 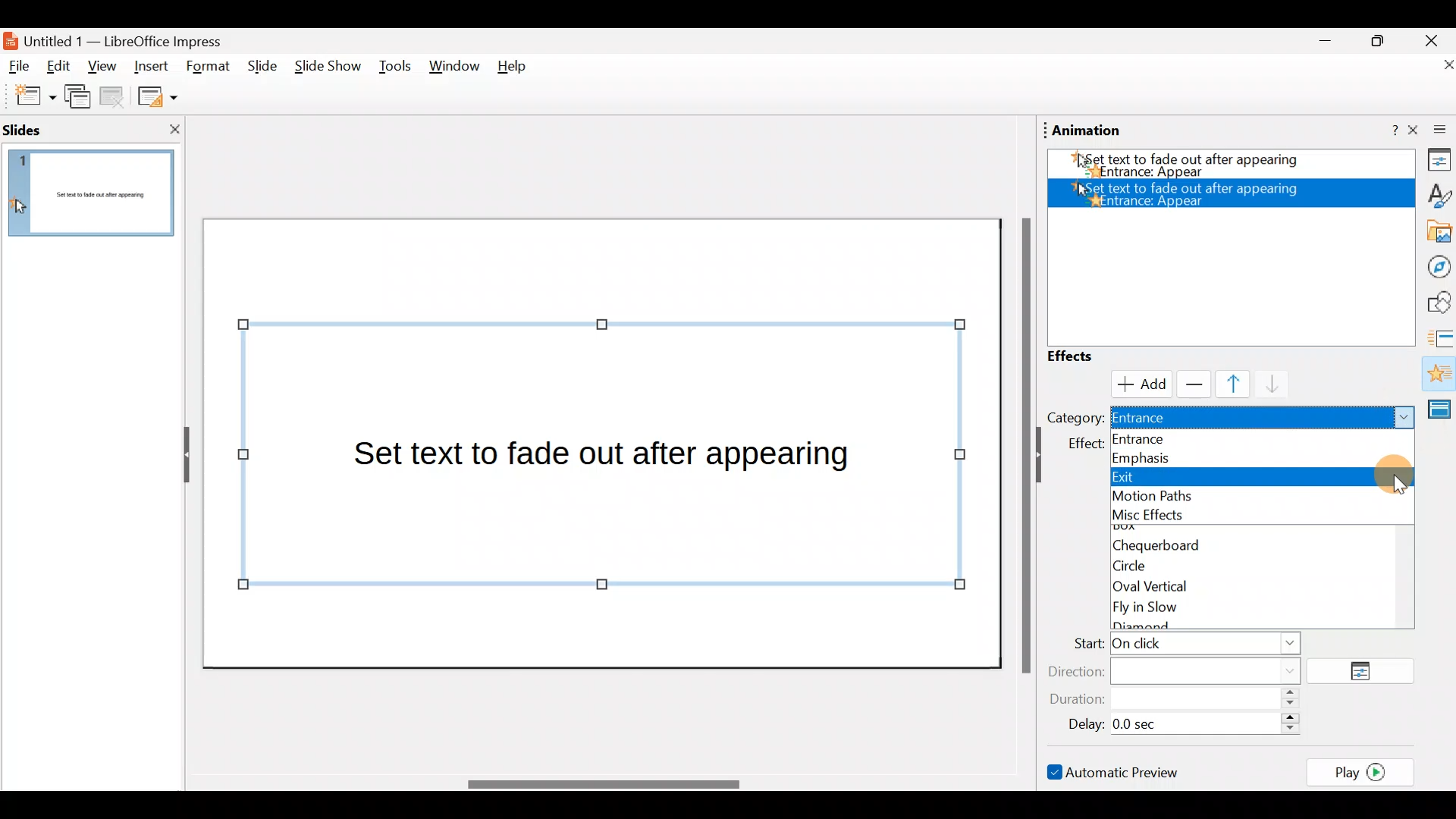 I want to click on Slide pane, so click(x=93, y=193).